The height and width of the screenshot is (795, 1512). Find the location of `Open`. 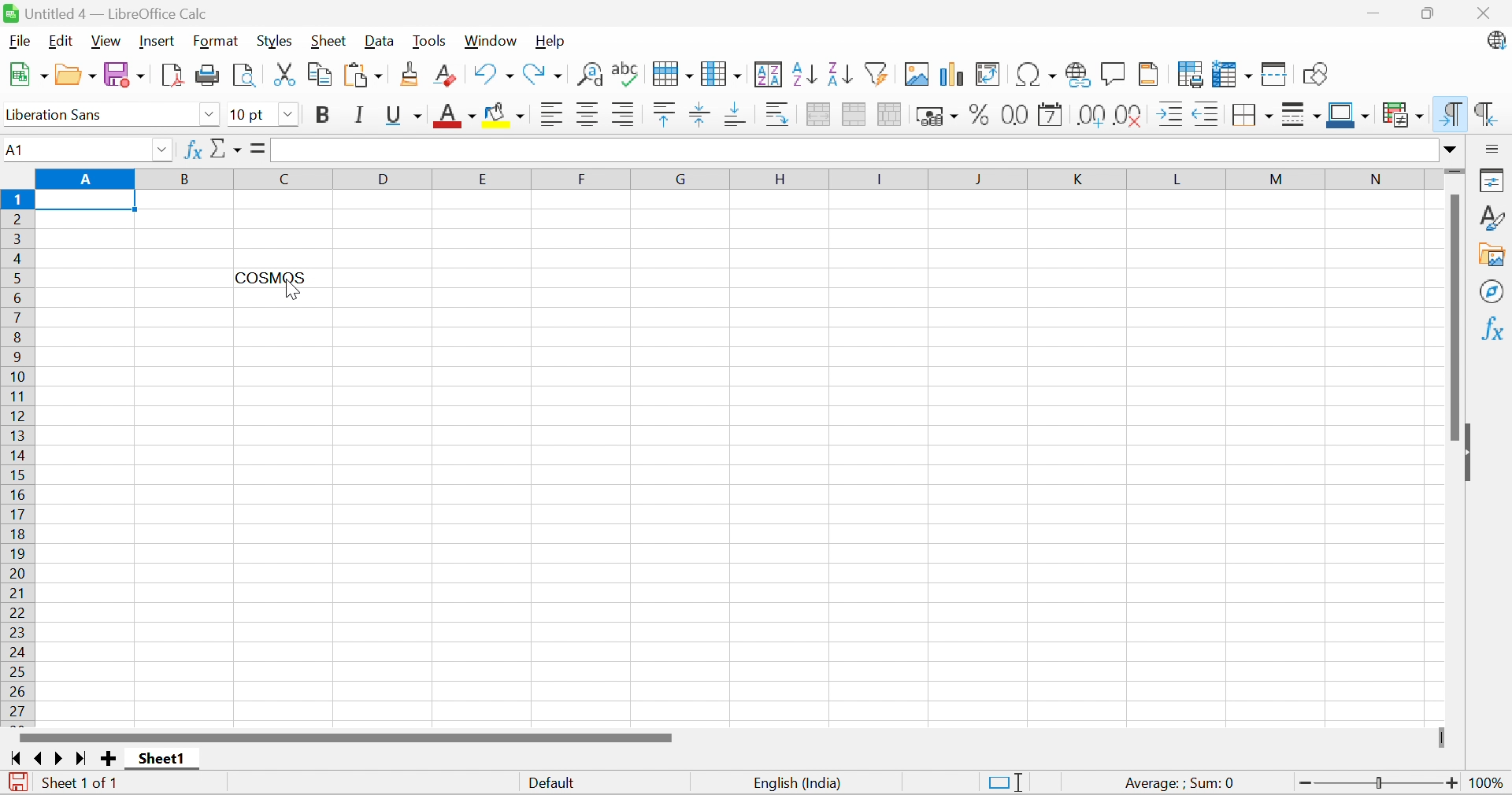

Open is located at coordinates (74, 74).